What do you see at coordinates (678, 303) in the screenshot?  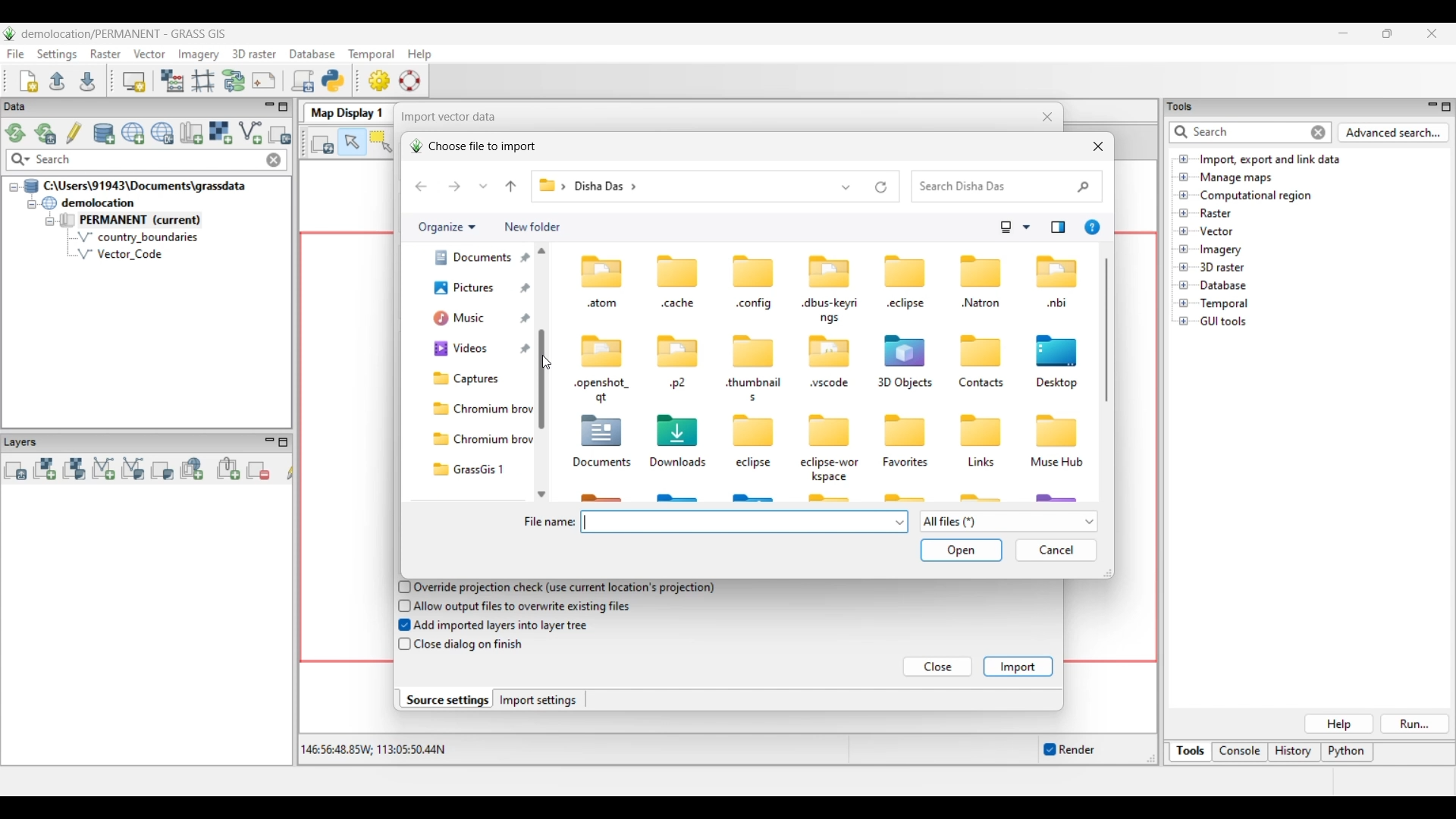 I see `cache` at bounding box center [678, 303].